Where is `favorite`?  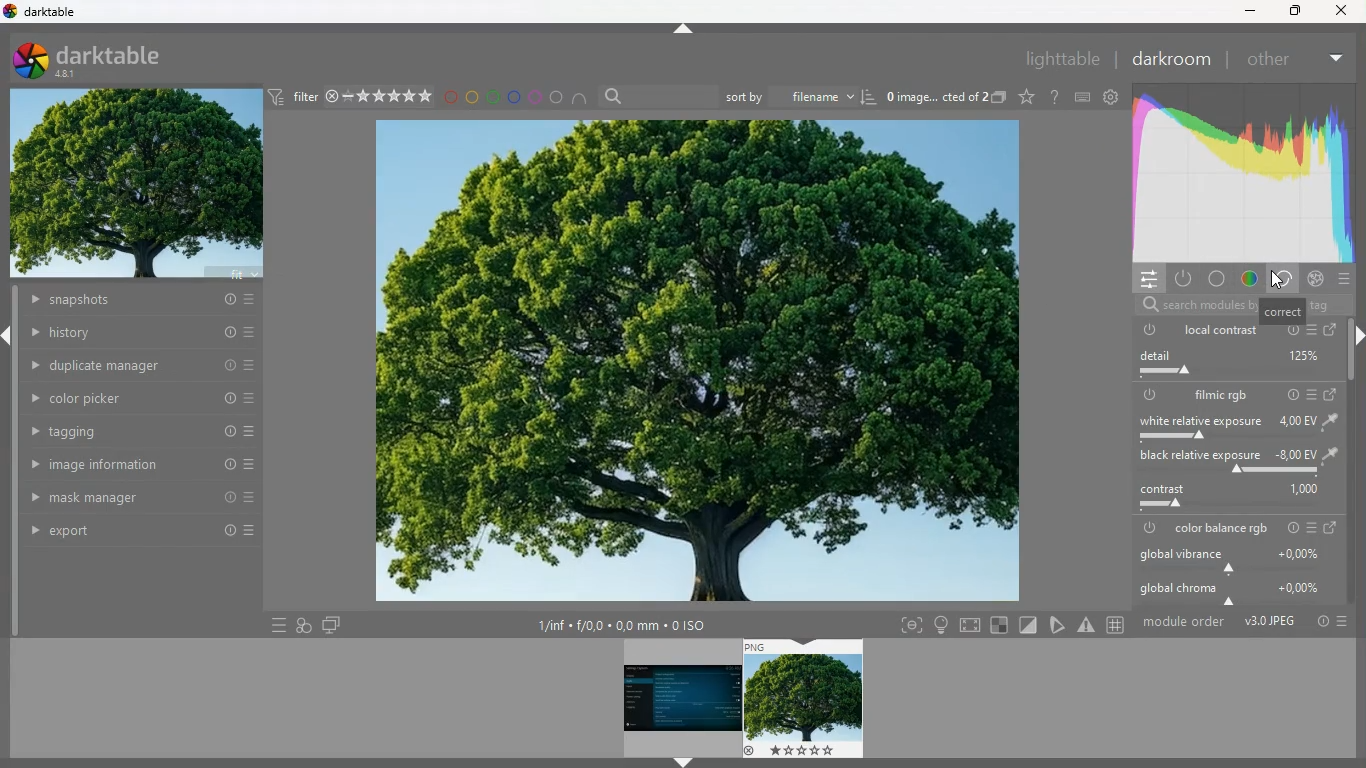
favorite is located at coordinates (1025, 98).